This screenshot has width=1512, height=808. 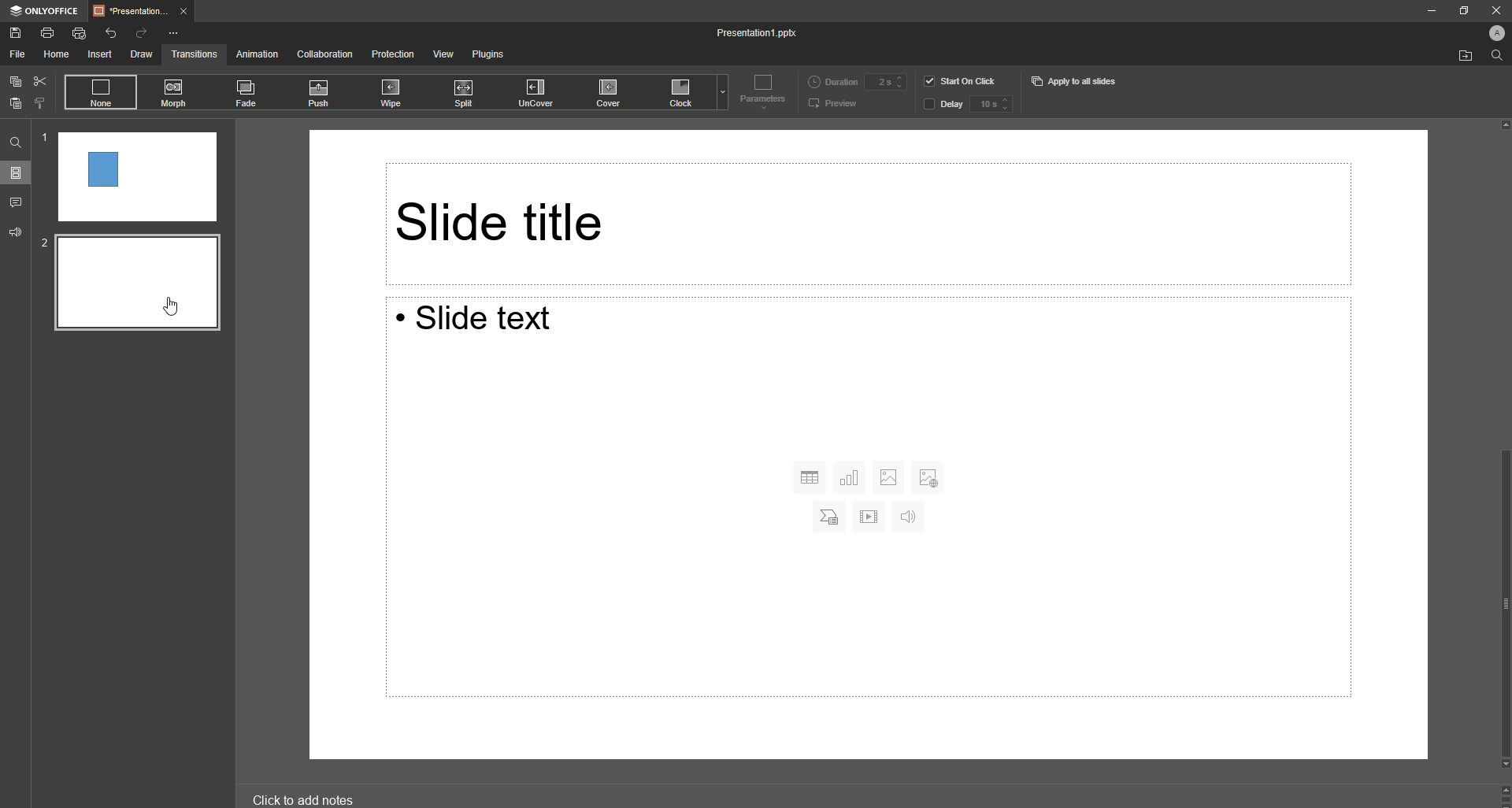 I want to click on Controls, so click(x=1503, y=795).